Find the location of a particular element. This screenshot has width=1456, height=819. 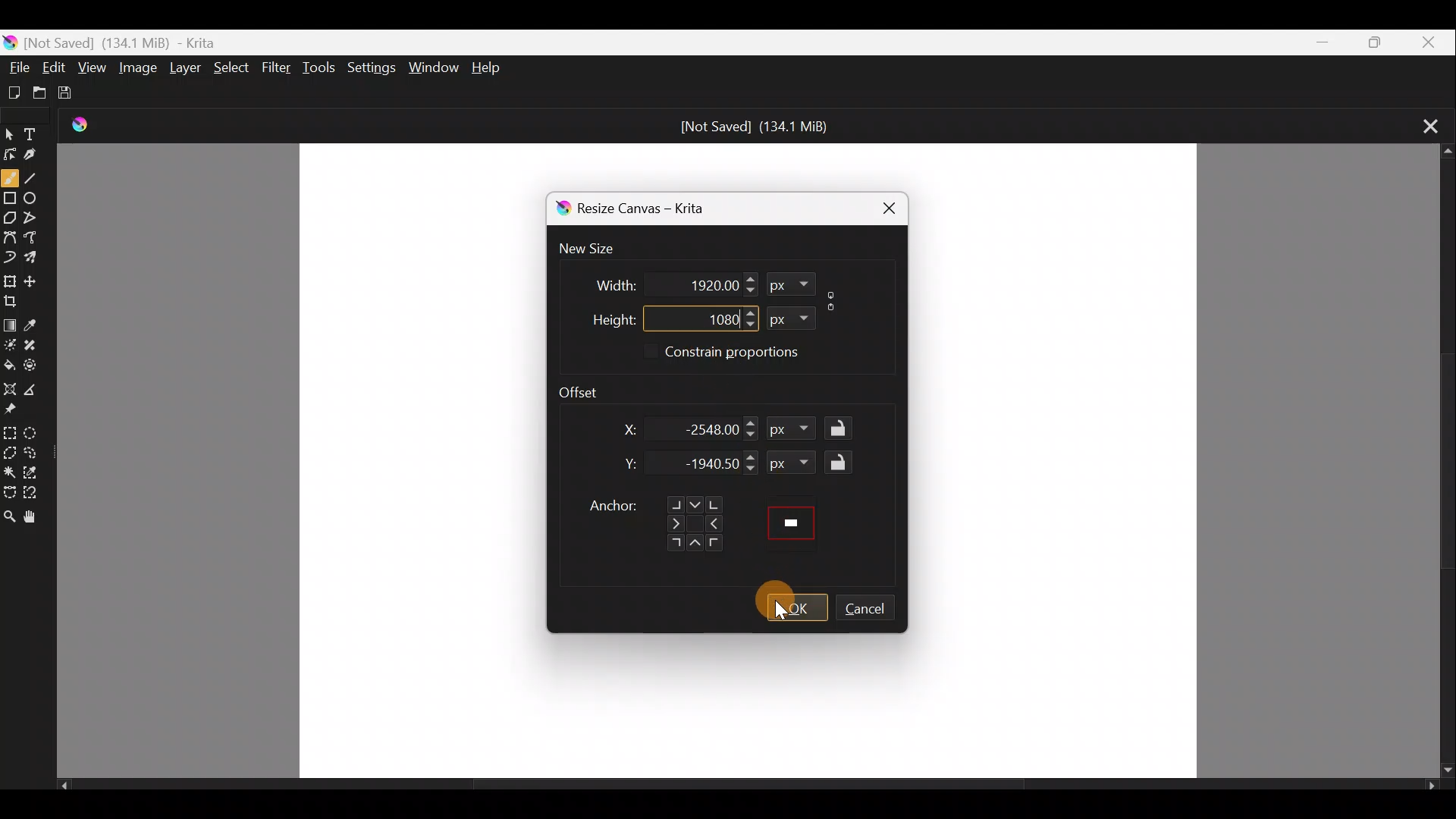

Polygon tool is located at coordinates (11, 219).